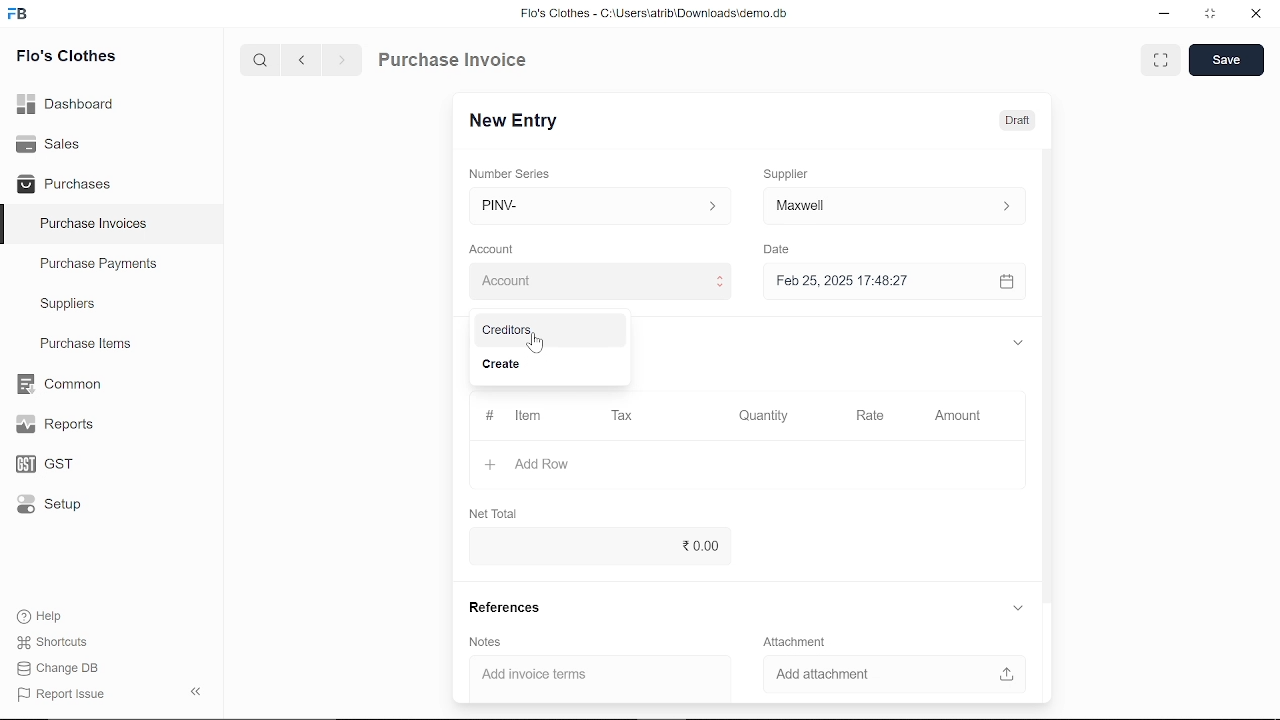 This screenshot has height=720, width=1280. Describe the element at coordinates (58, 694) in the screenshot. I see `J Report Issue` at that location.